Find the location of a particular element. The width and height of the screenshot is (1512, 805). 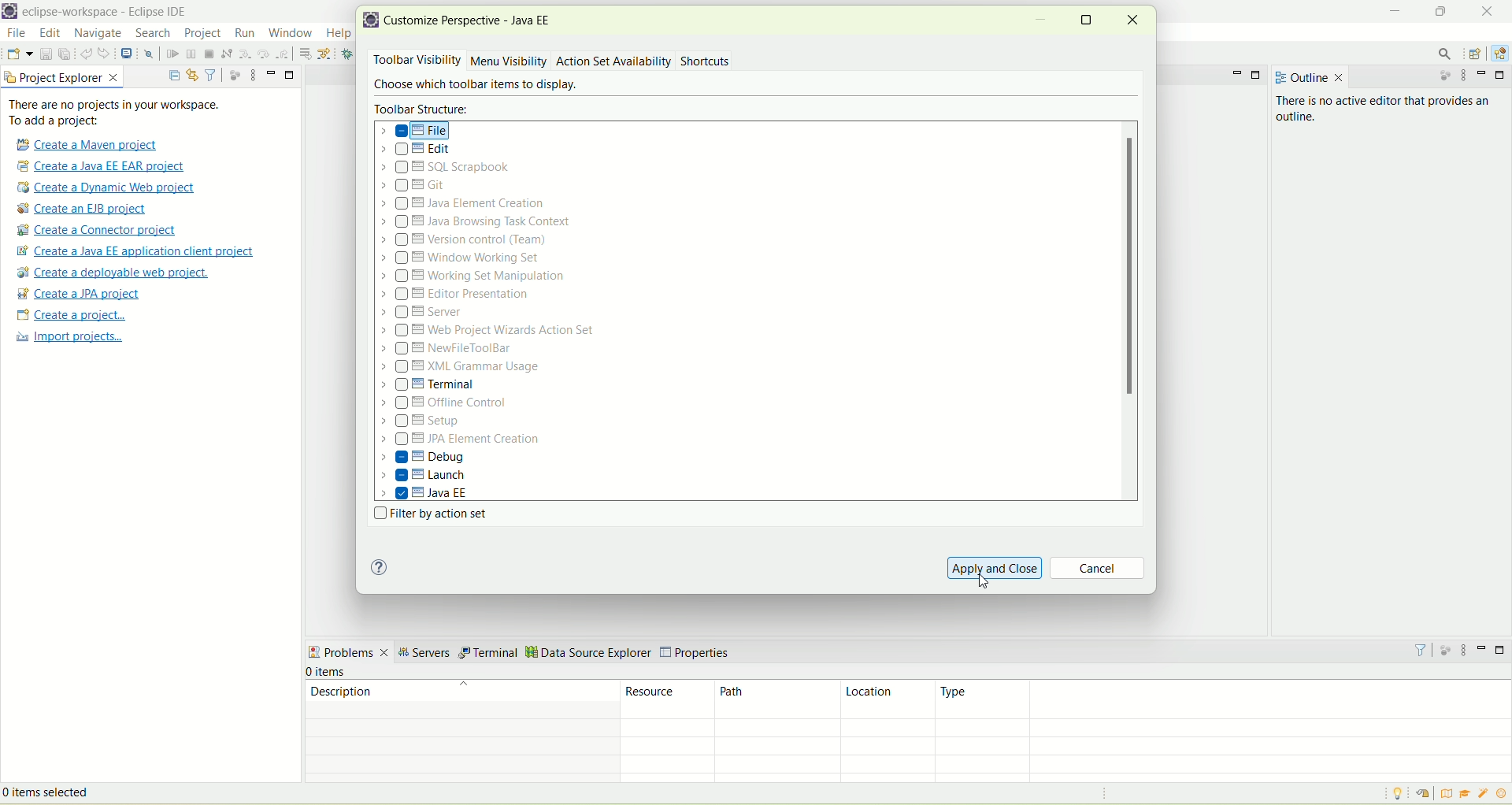

Java browsing task content is located at coordinates (476, 221).